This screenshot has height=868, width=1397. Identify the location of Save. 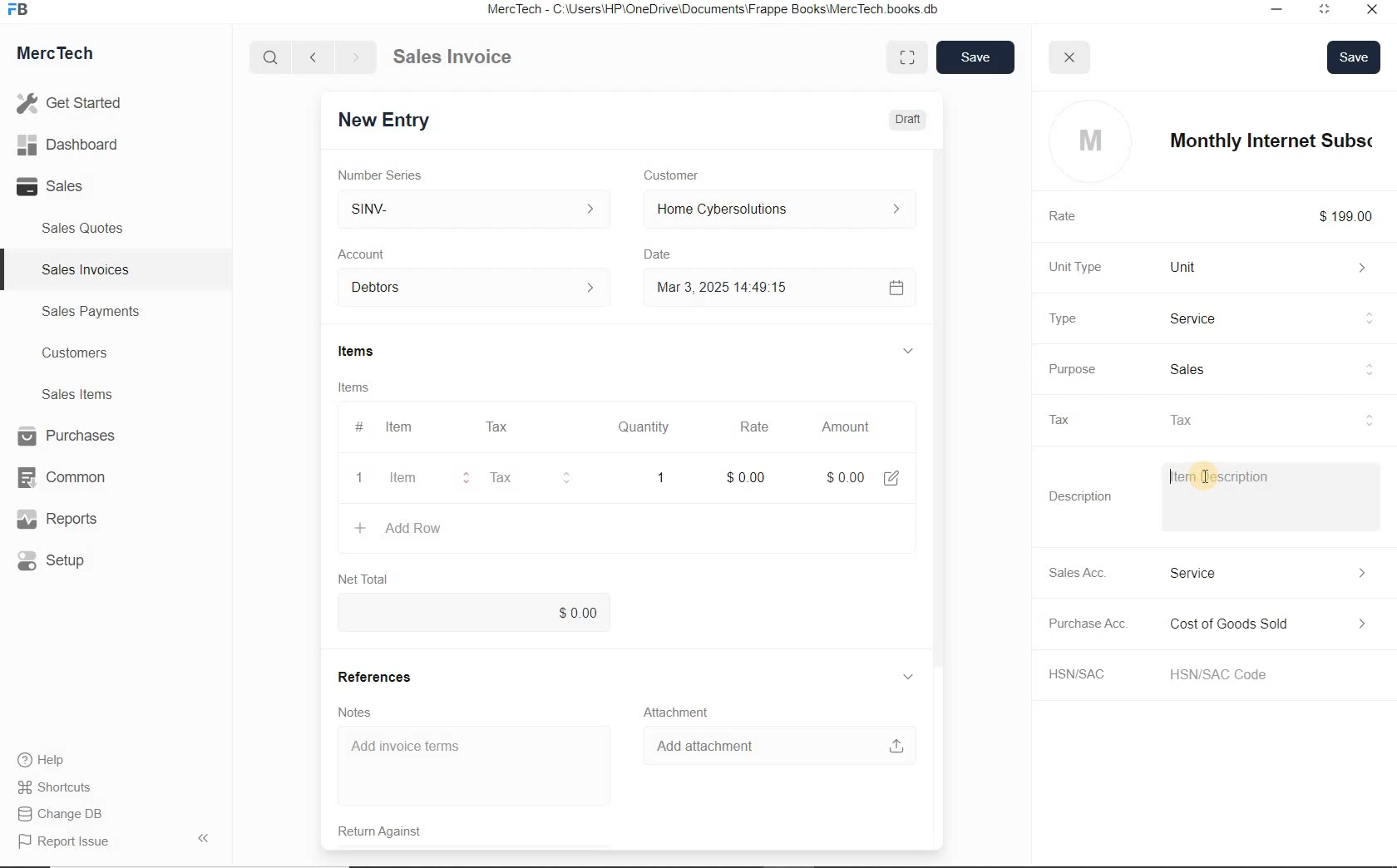
(1355, 55).